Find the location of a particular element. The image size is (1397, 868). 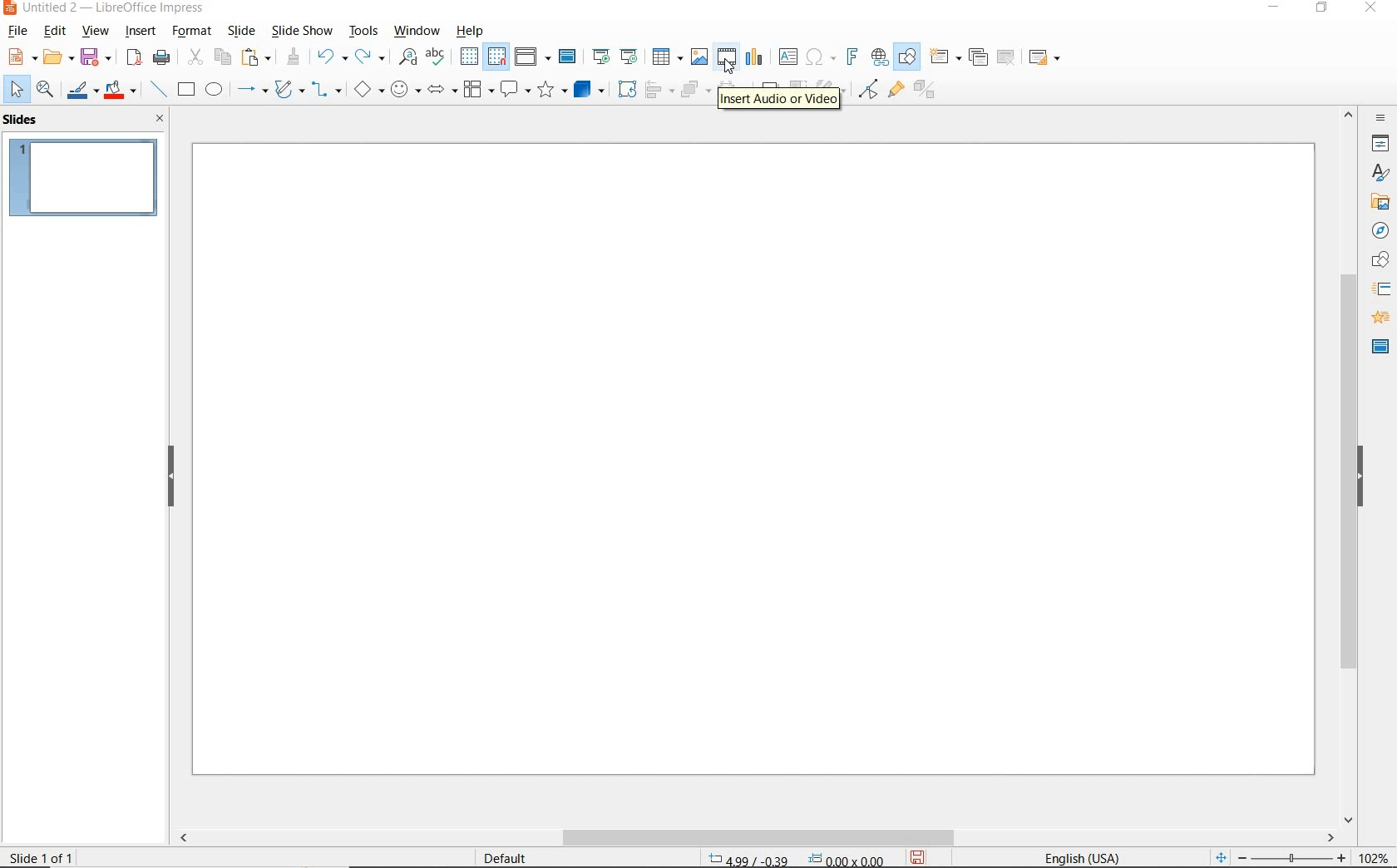

PROPERTIES is located at coordinates (1382, 145).